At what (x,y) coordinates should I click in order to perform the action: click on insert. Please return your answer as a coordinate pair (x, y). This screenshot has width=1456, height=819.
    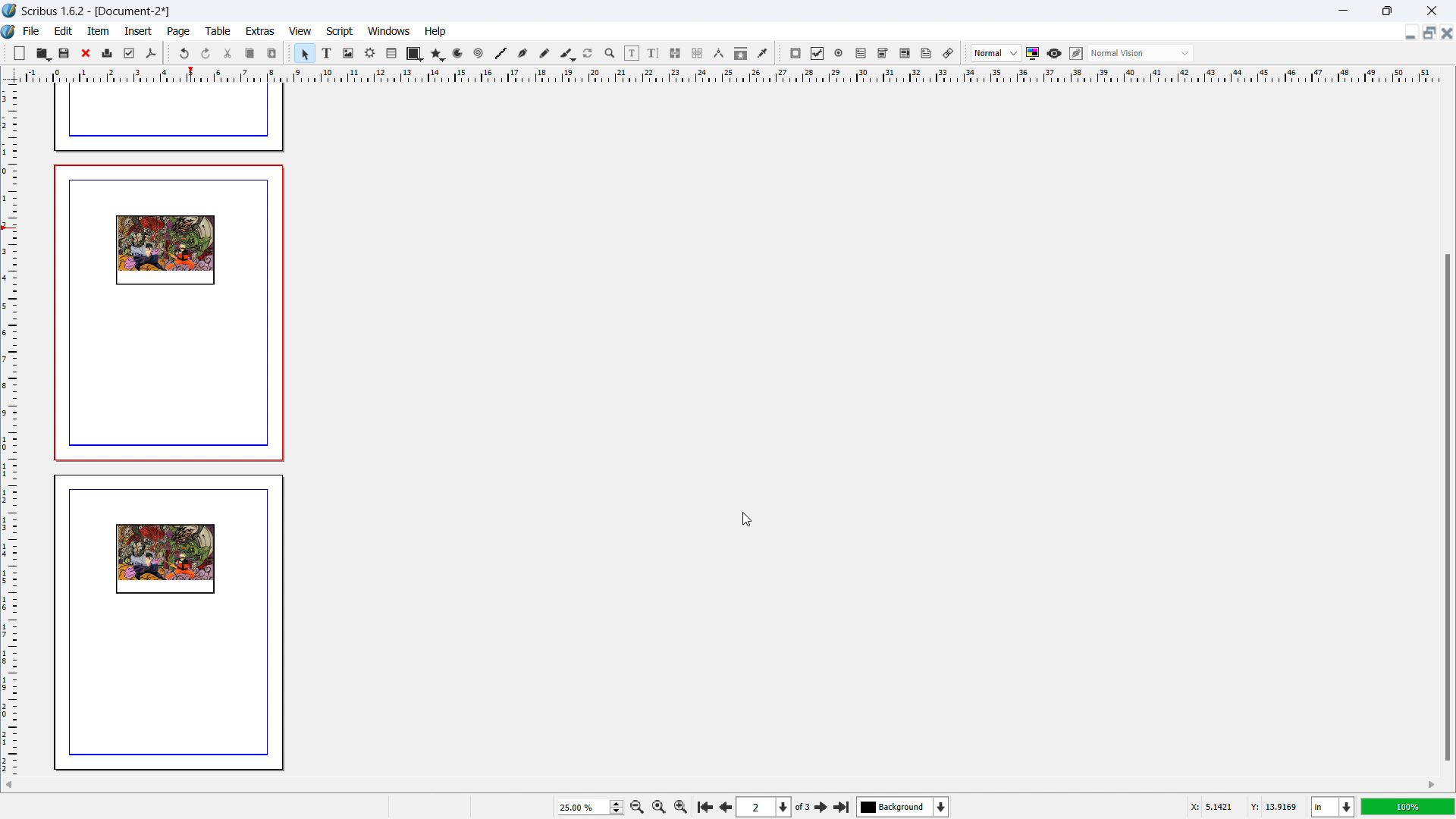
    Looking at the image, I should click on (140, 31).